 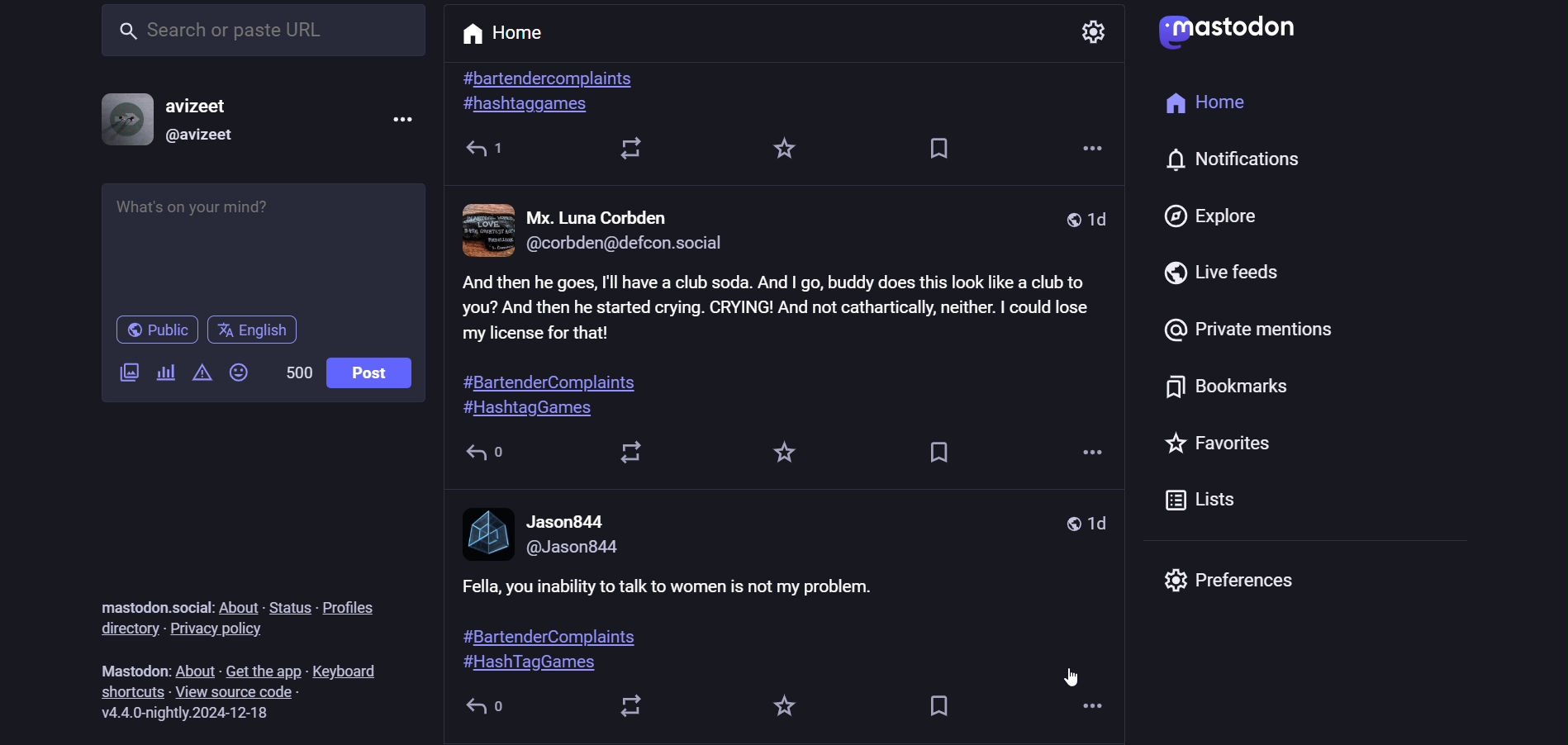 What do you see at coordinates (565, 523) in the screenshot?
I see `jason844` at bounding box center [565, 523].